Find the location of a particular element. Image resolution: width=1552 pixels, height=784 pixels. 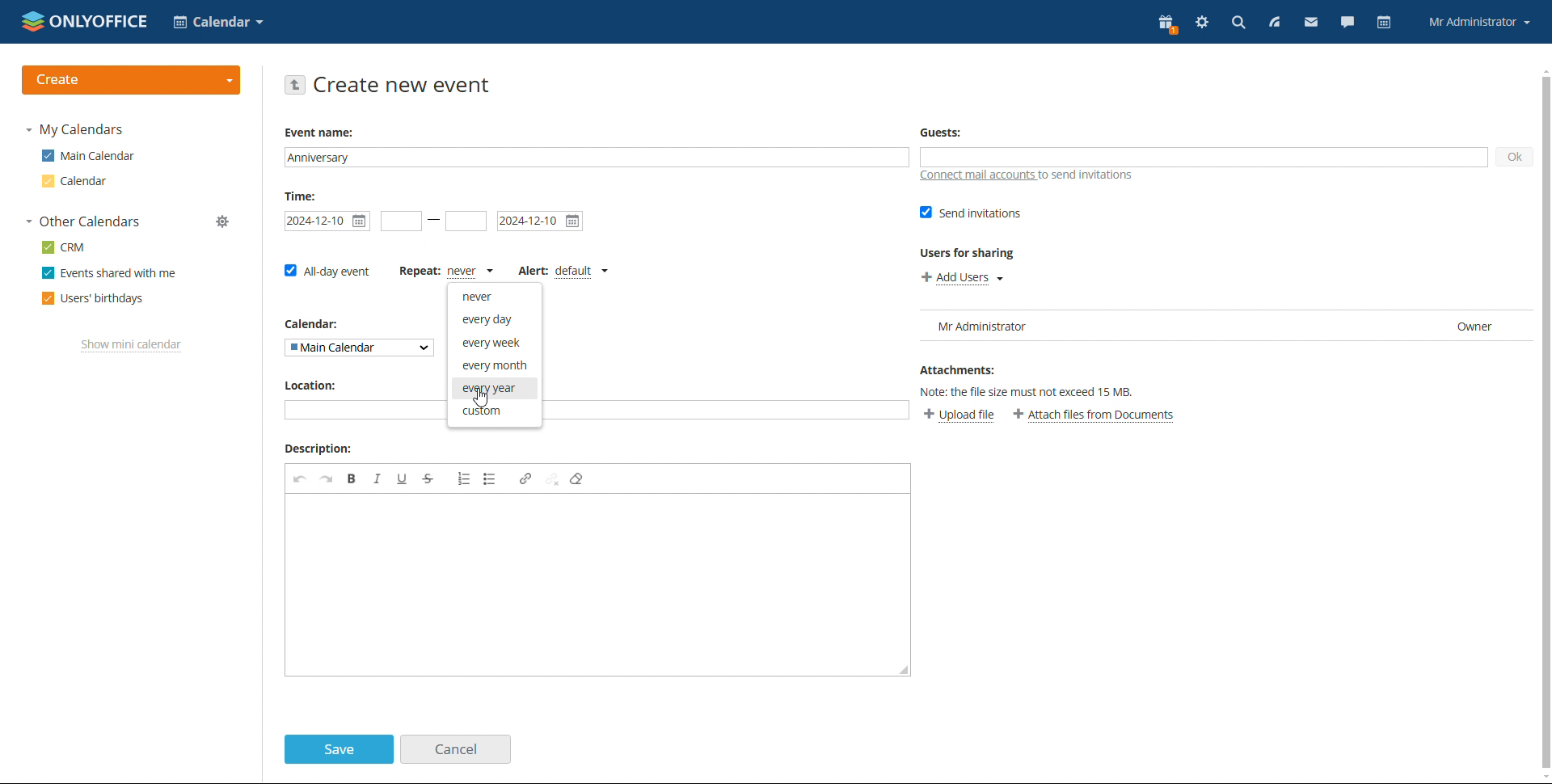

Guests: is located at coordinates (936, 129).